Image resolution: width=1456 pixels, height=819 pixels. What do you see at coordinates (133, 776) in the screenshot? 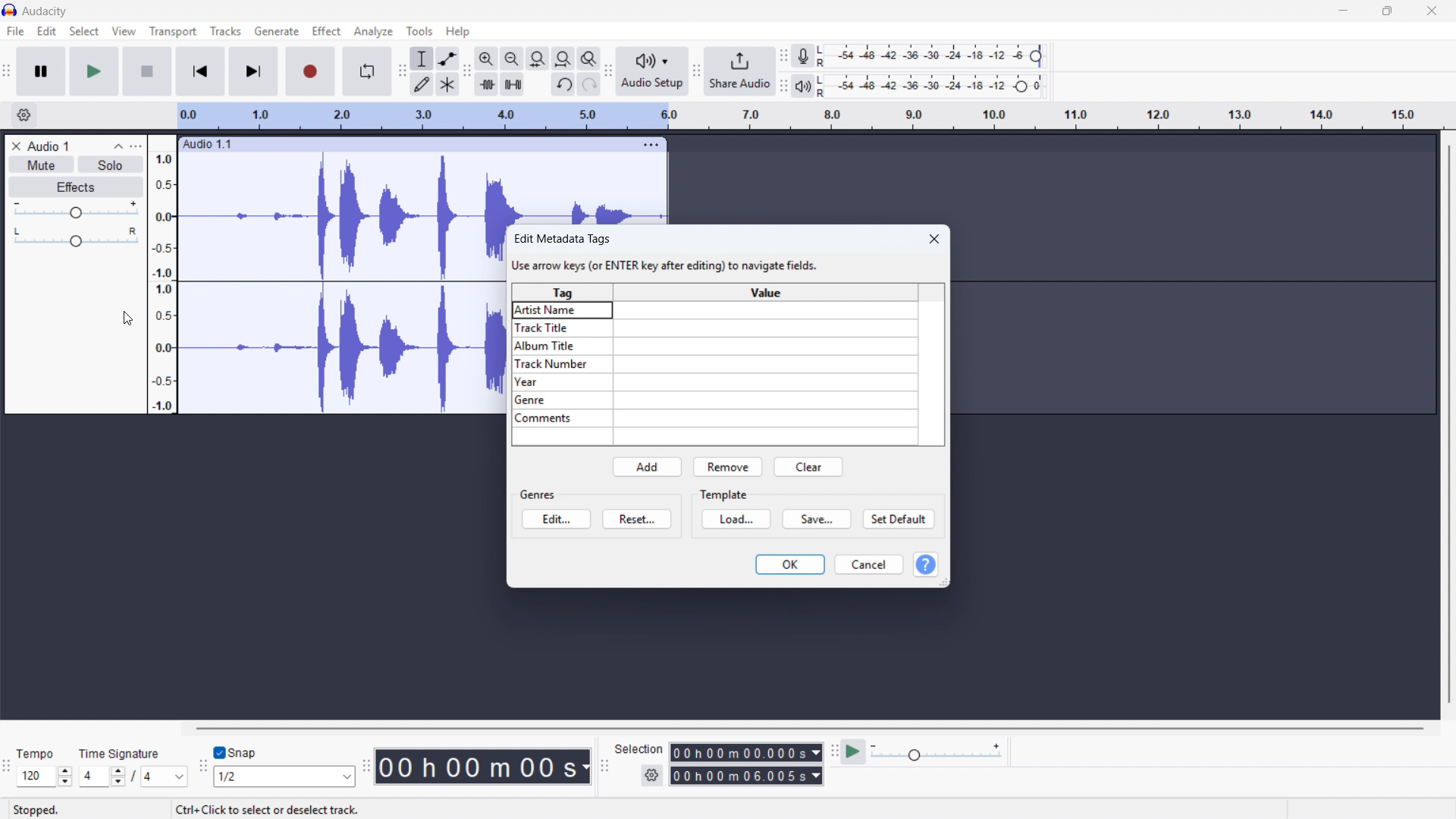
I see `set time signature` at bounding box center [133, 776].